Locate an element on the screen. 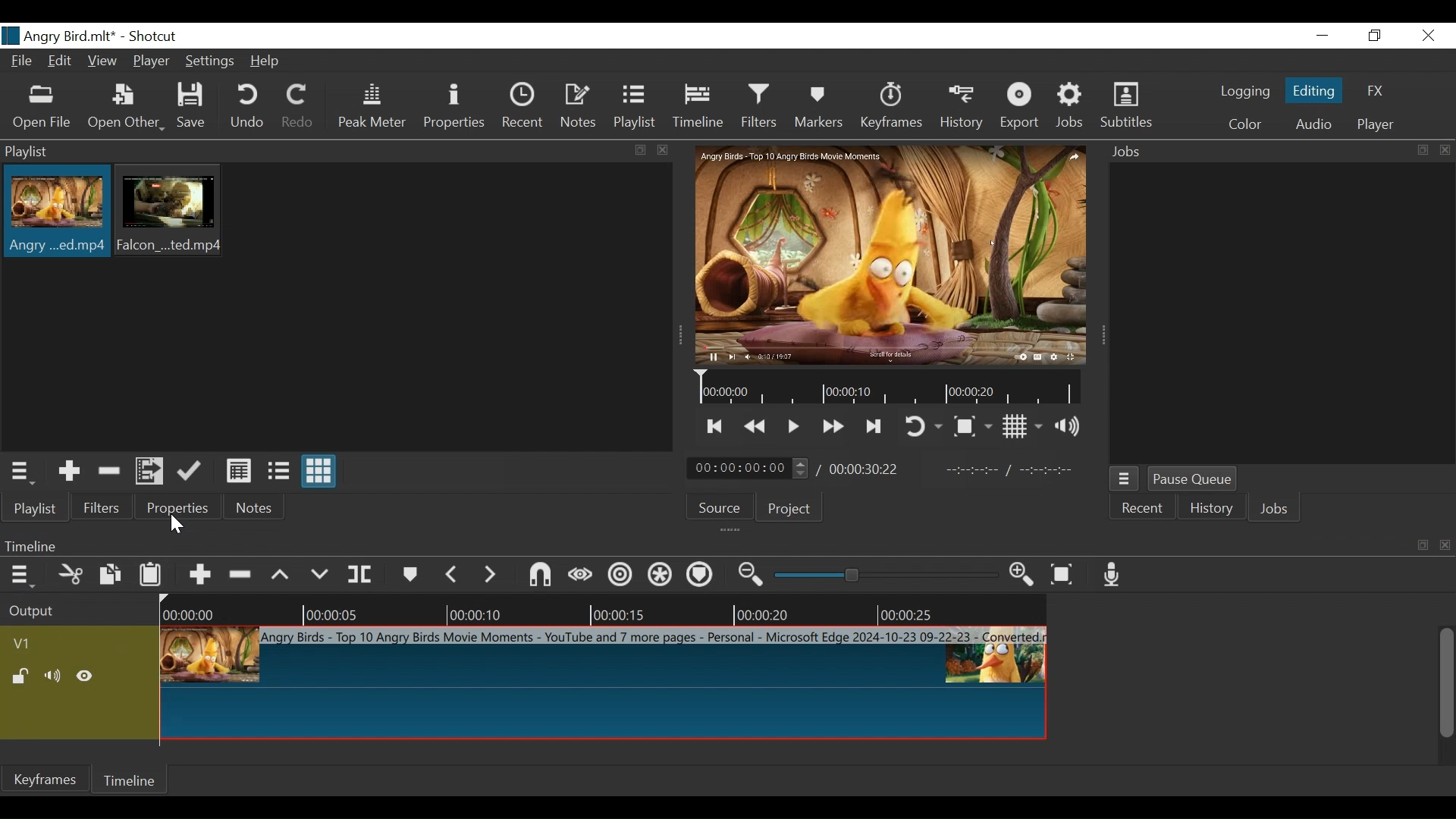 This screenshot has height=819, width=1456. Markers is located at coordinates (411, 576).